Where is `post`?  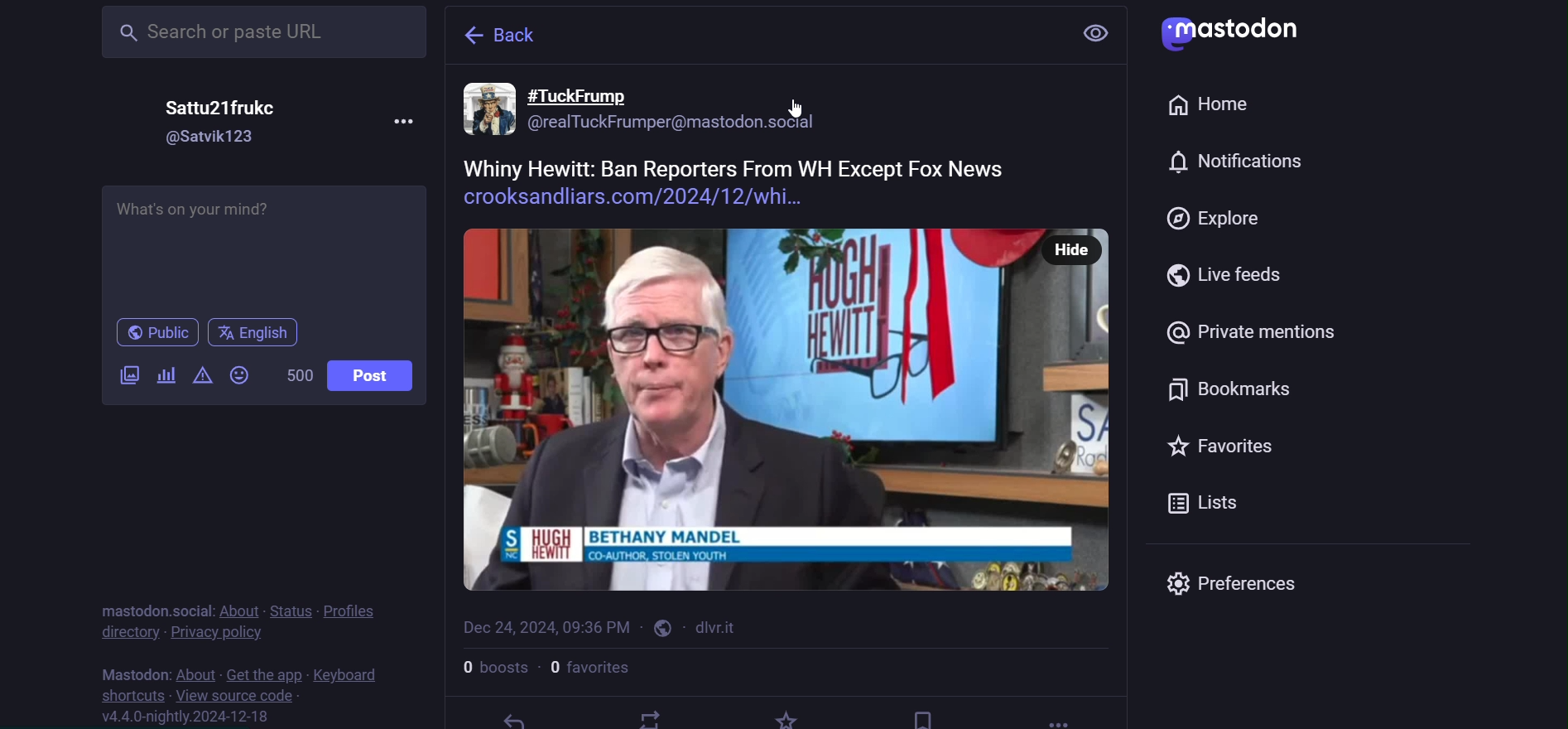
post is located at coordinates (788, 335).